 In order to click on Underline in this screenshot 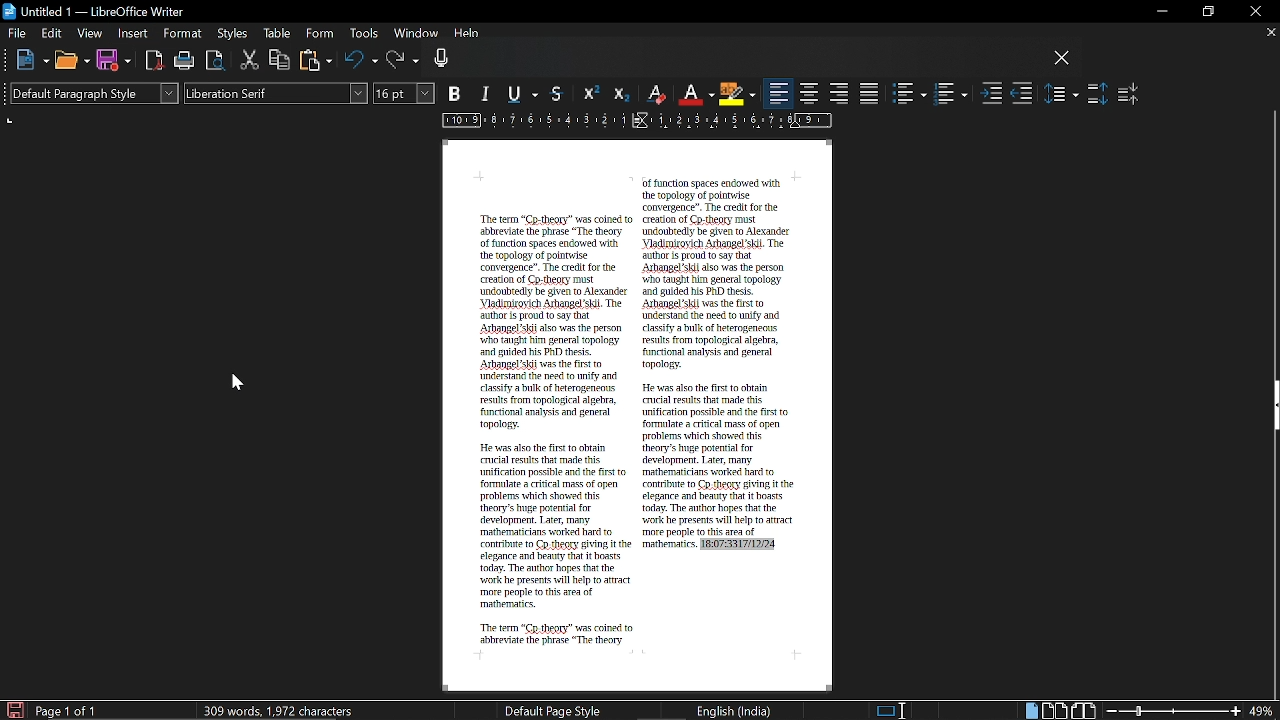, I will do `click(696, 94)`.